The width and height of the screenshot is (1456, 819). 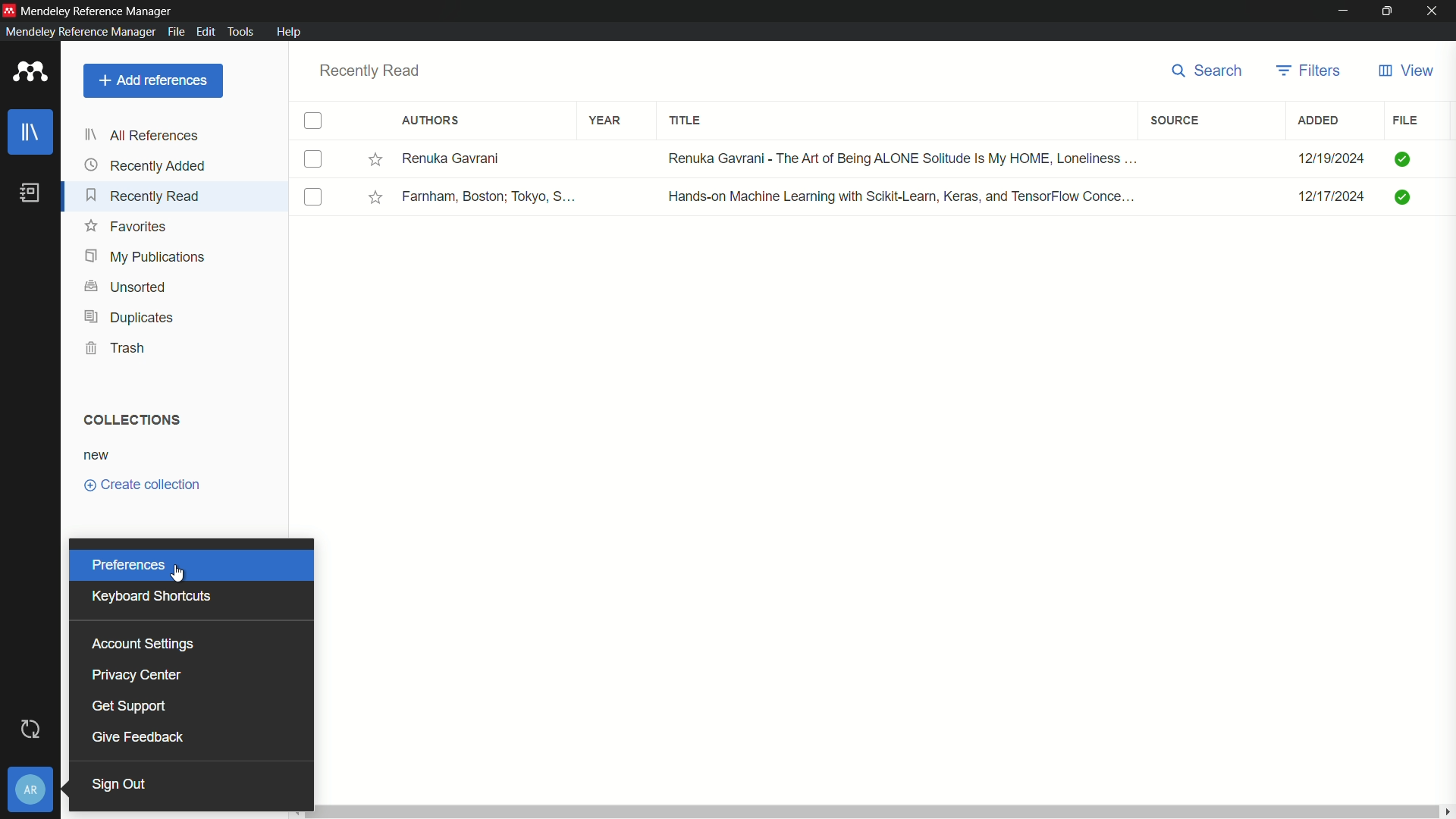 What do you see at coordinates (907, 196) in the screenshot?
I see `Hands-on Machine Learning` at bounding box center [907, 196].